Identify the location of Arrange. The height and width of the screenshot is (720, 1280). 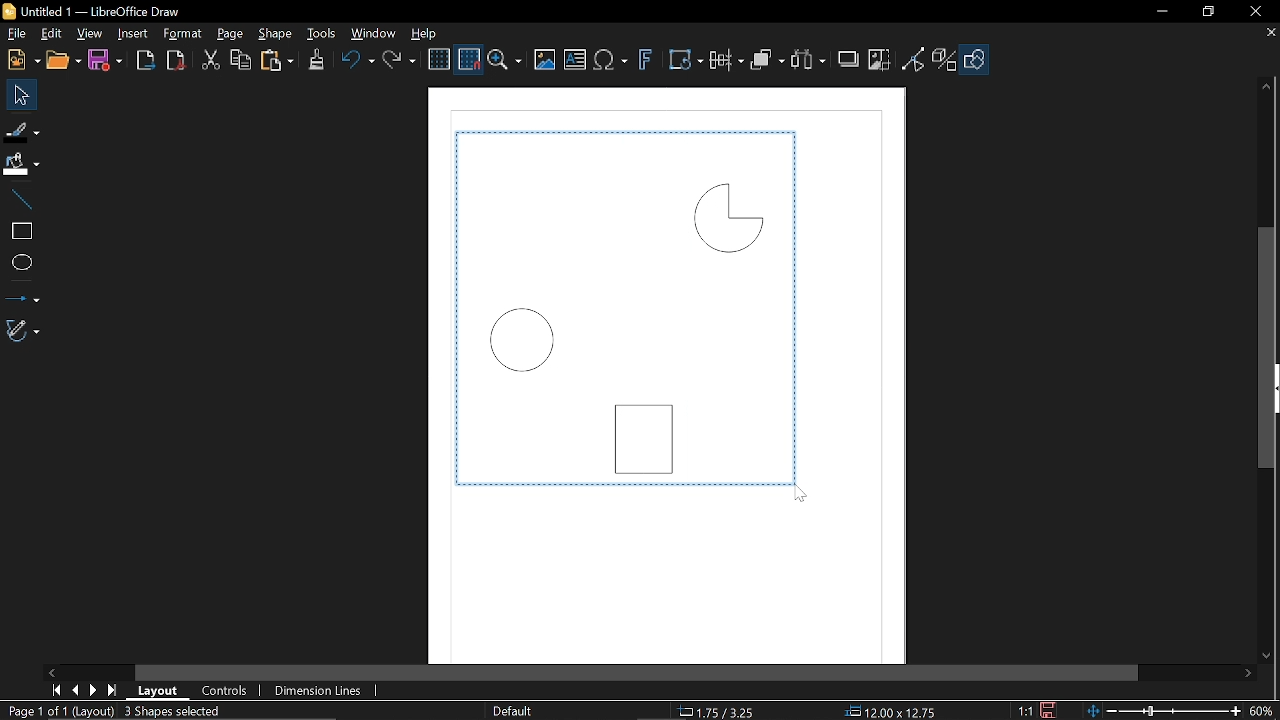
(767, 62).